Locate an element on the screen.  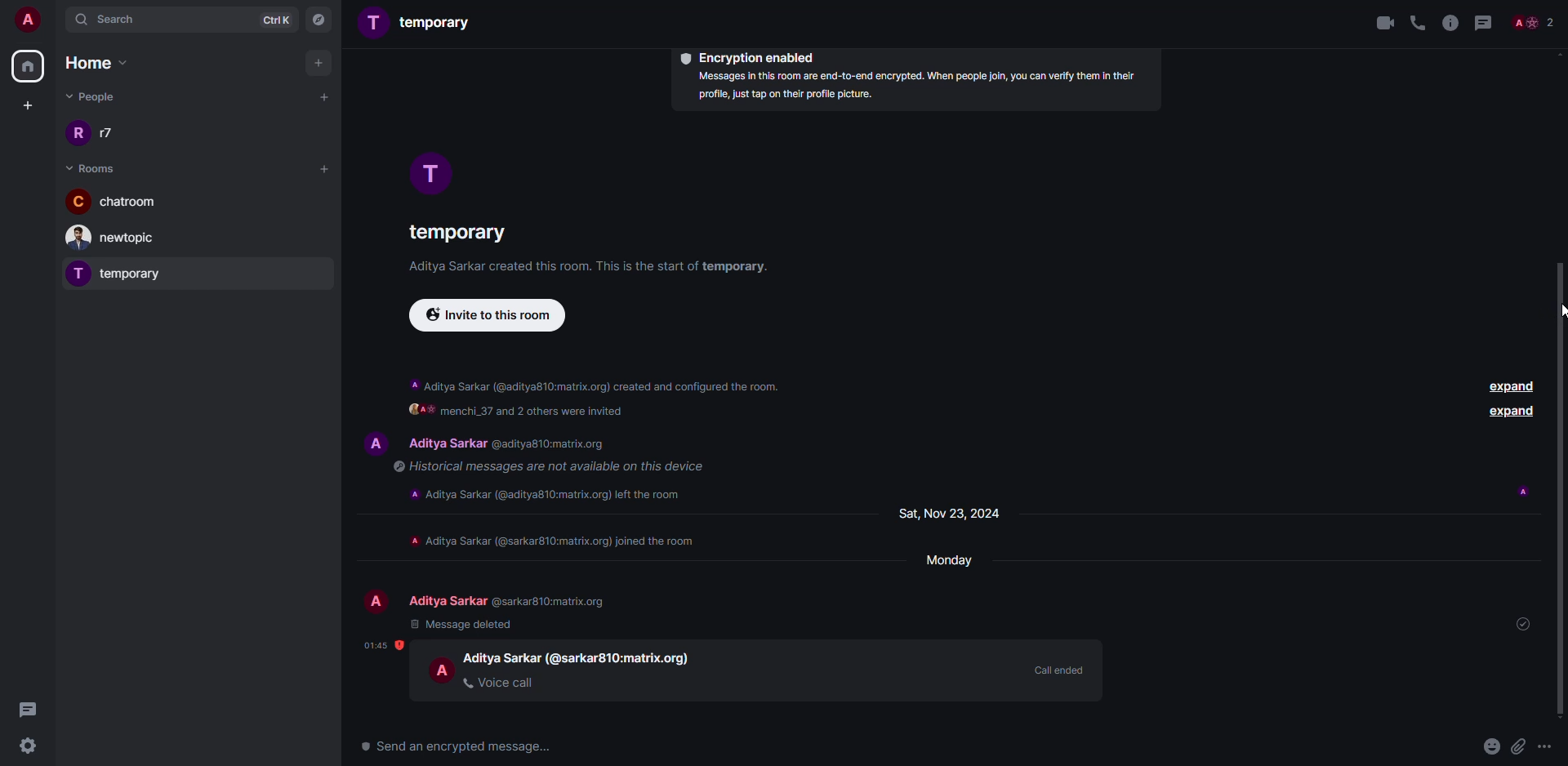
video call is located at coordinates (1378, 21).